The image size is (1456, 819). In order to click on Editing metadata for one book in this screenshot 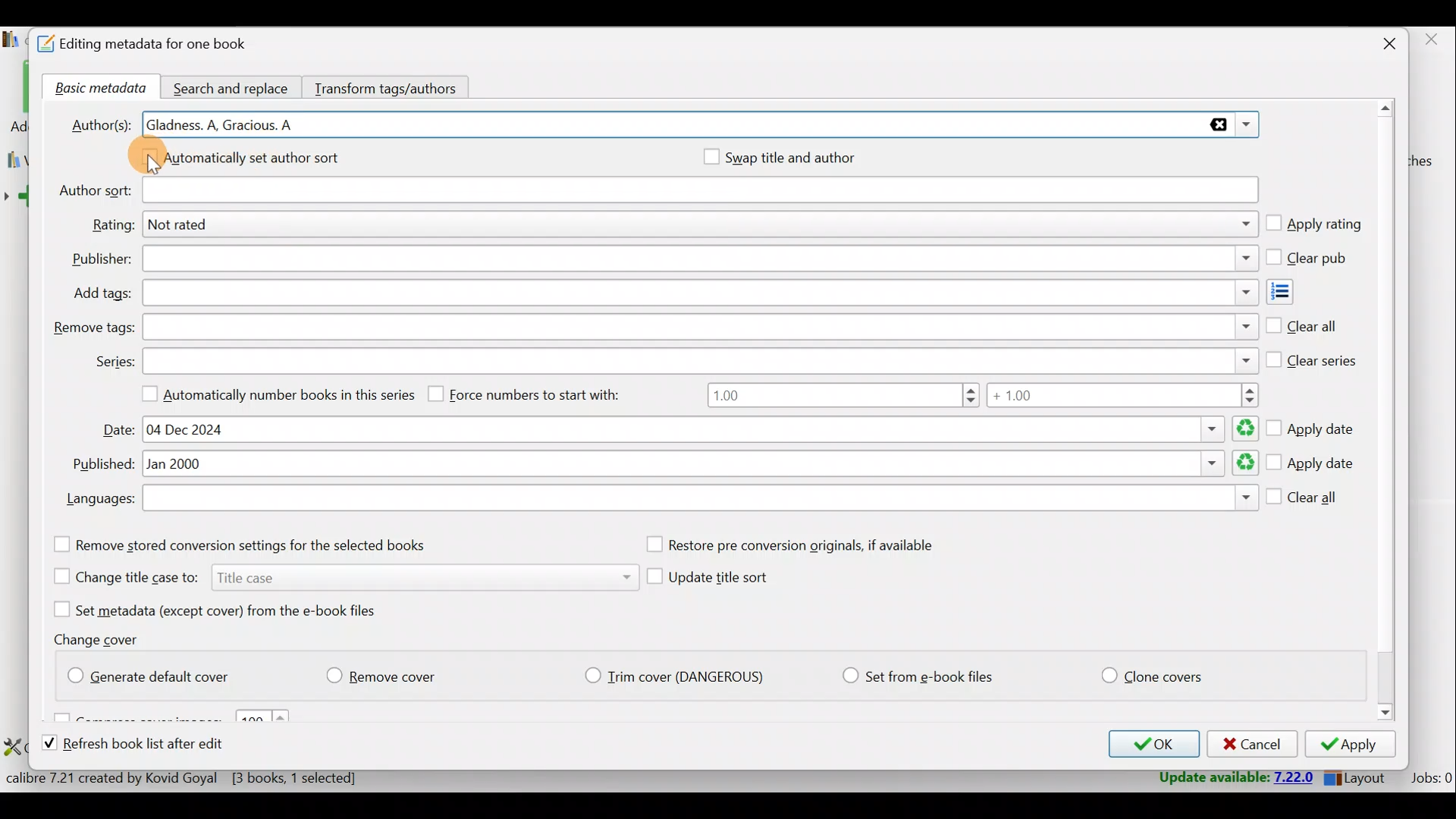, I will do `click(161, 45)`.